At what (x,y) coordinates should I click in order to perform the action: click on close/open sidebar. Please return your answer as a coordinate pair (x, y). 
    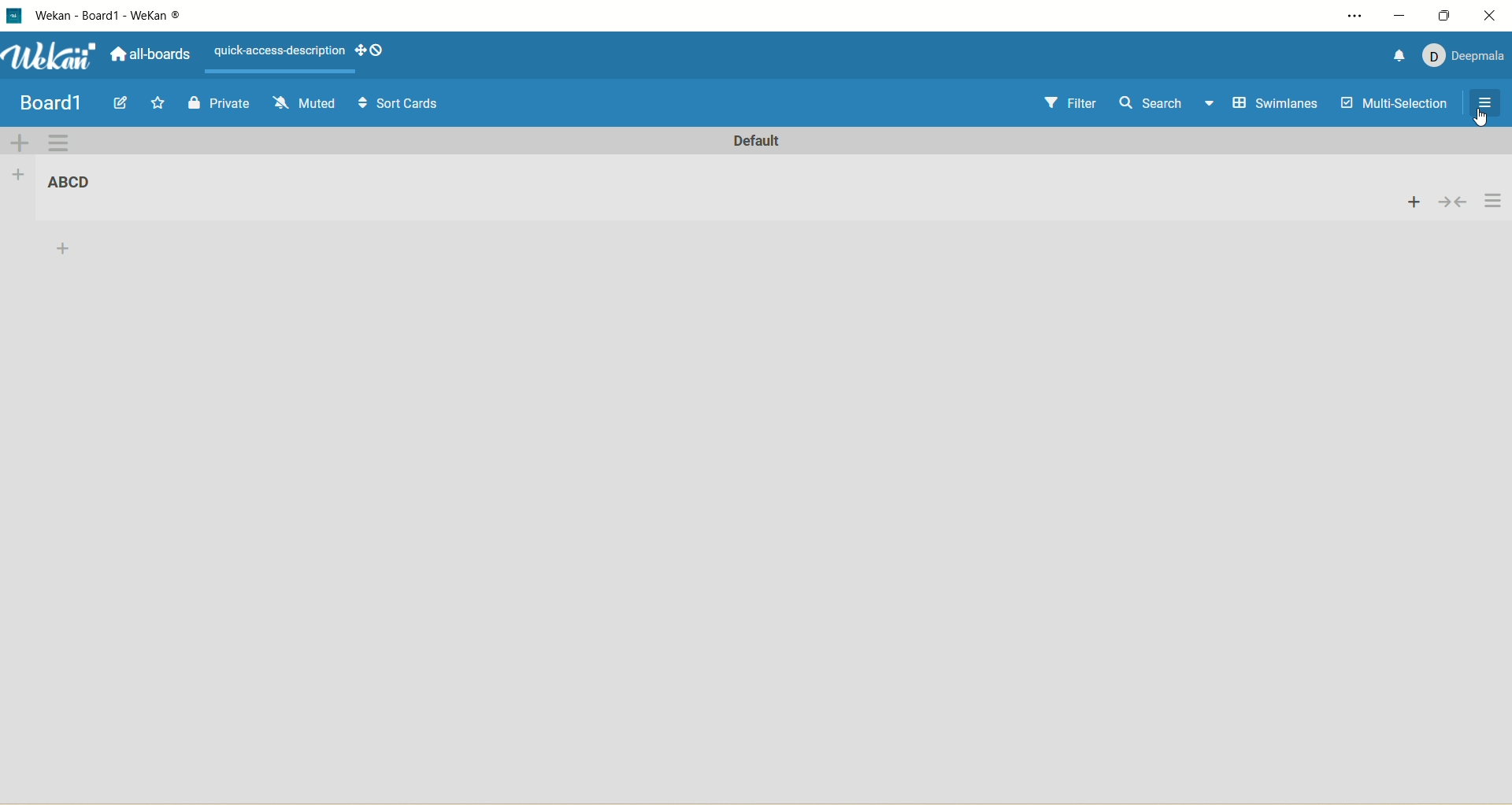
    Looking at the image, I should click on (1483, 106).